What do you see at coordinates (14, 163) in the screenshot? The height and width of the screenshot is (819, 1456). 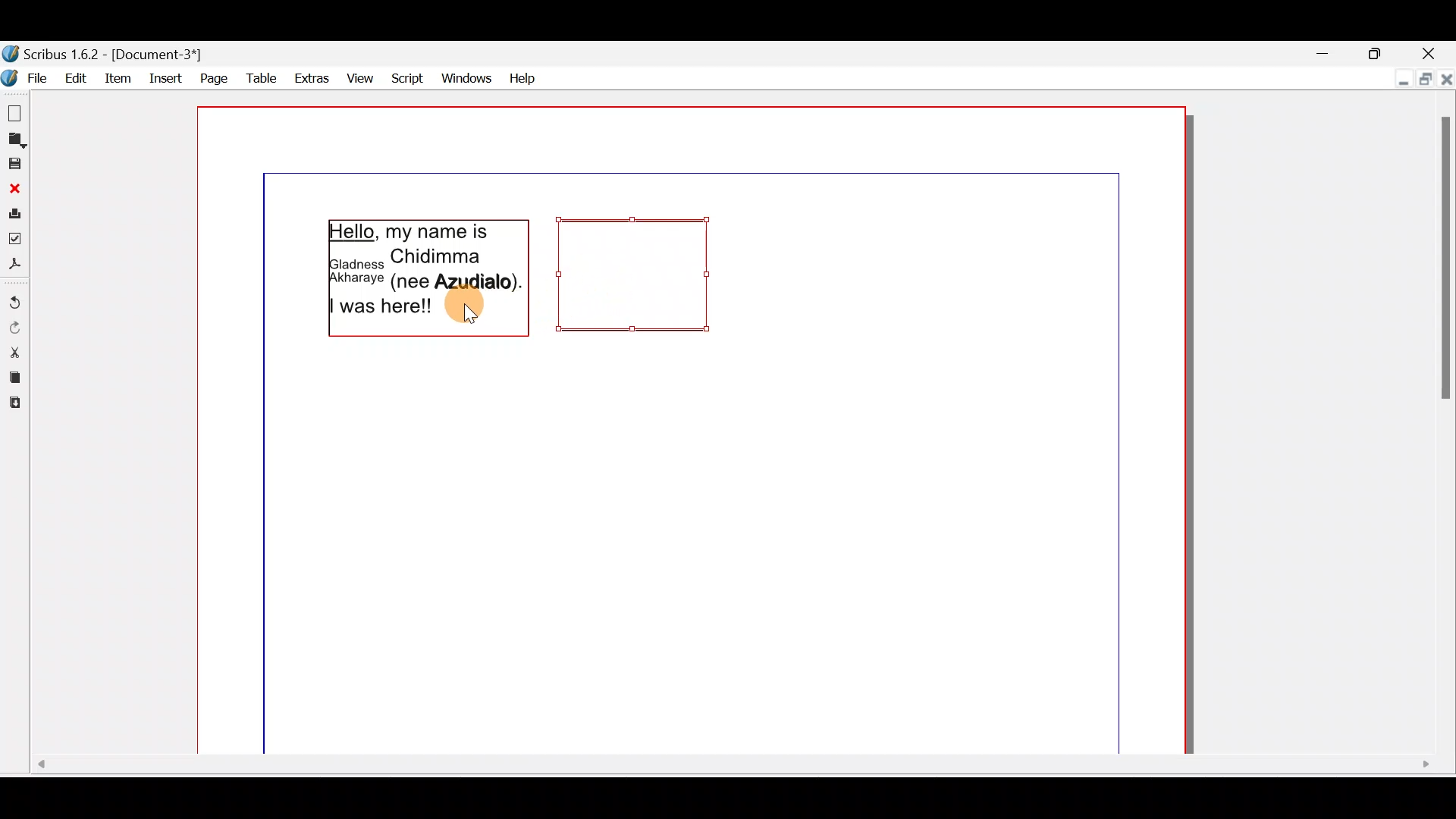 I see `Save` at bounding box center [14, 163].